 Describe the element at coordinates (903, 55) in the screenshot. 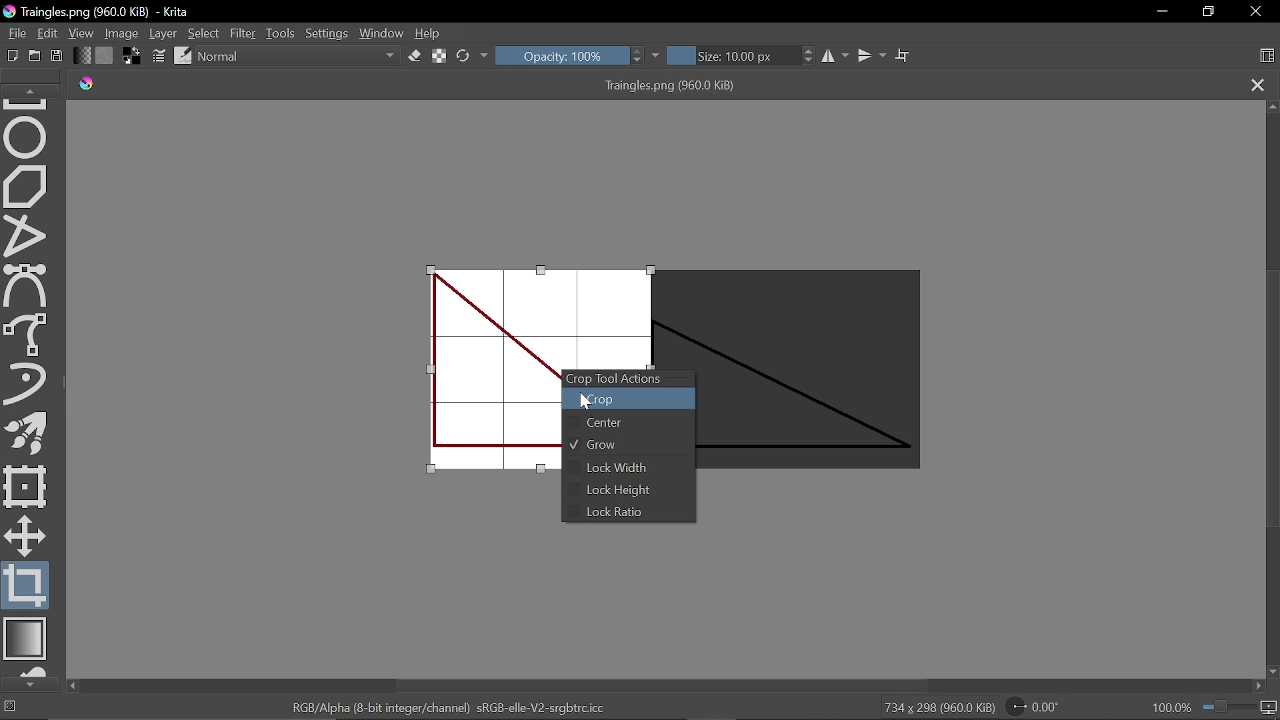

I see `Wrap text tool` at that location.